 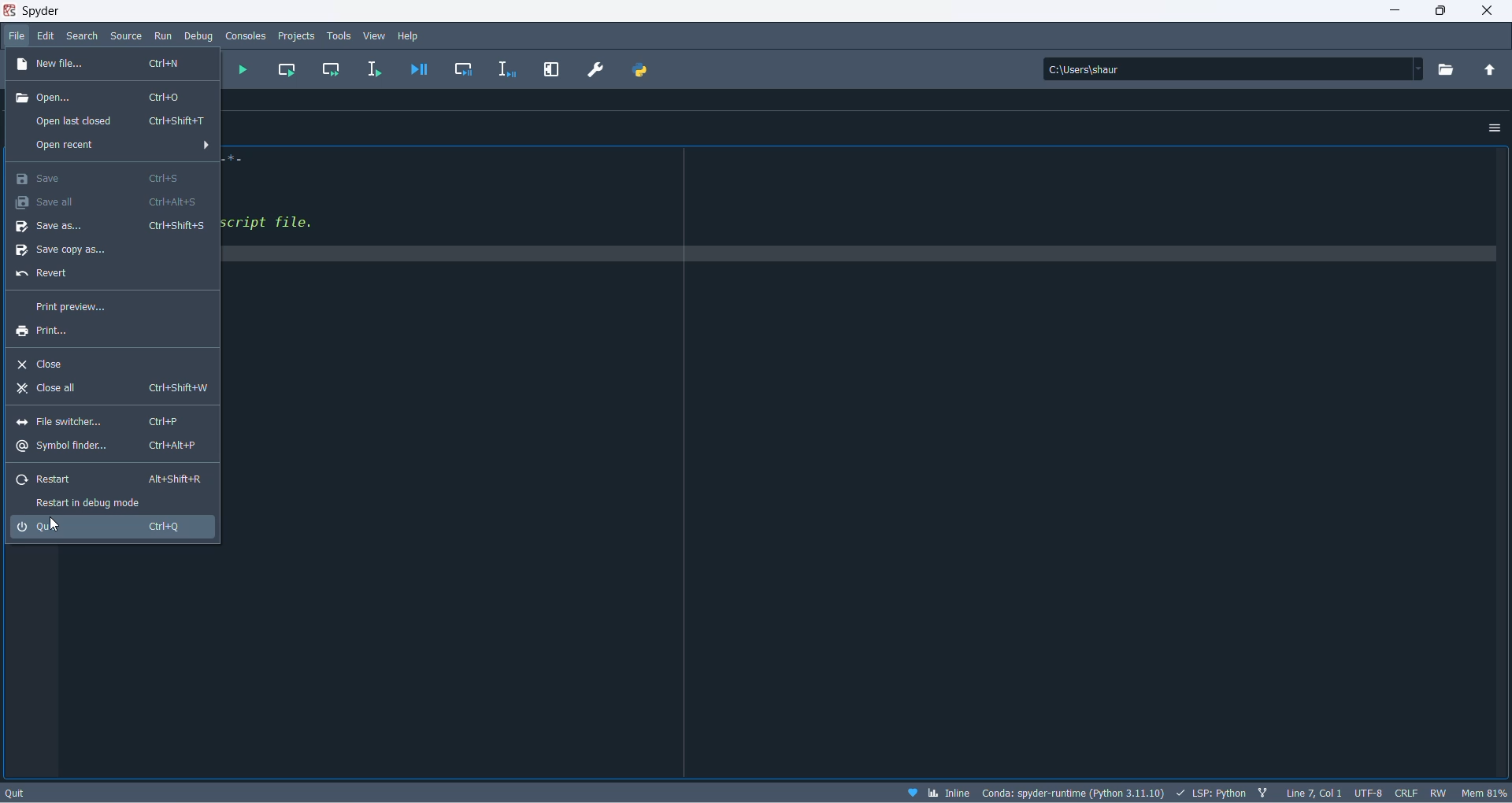 What do you see at coordinates (111, 203) in the screenshot?
I see `save all` at bounding box center [111, 203].